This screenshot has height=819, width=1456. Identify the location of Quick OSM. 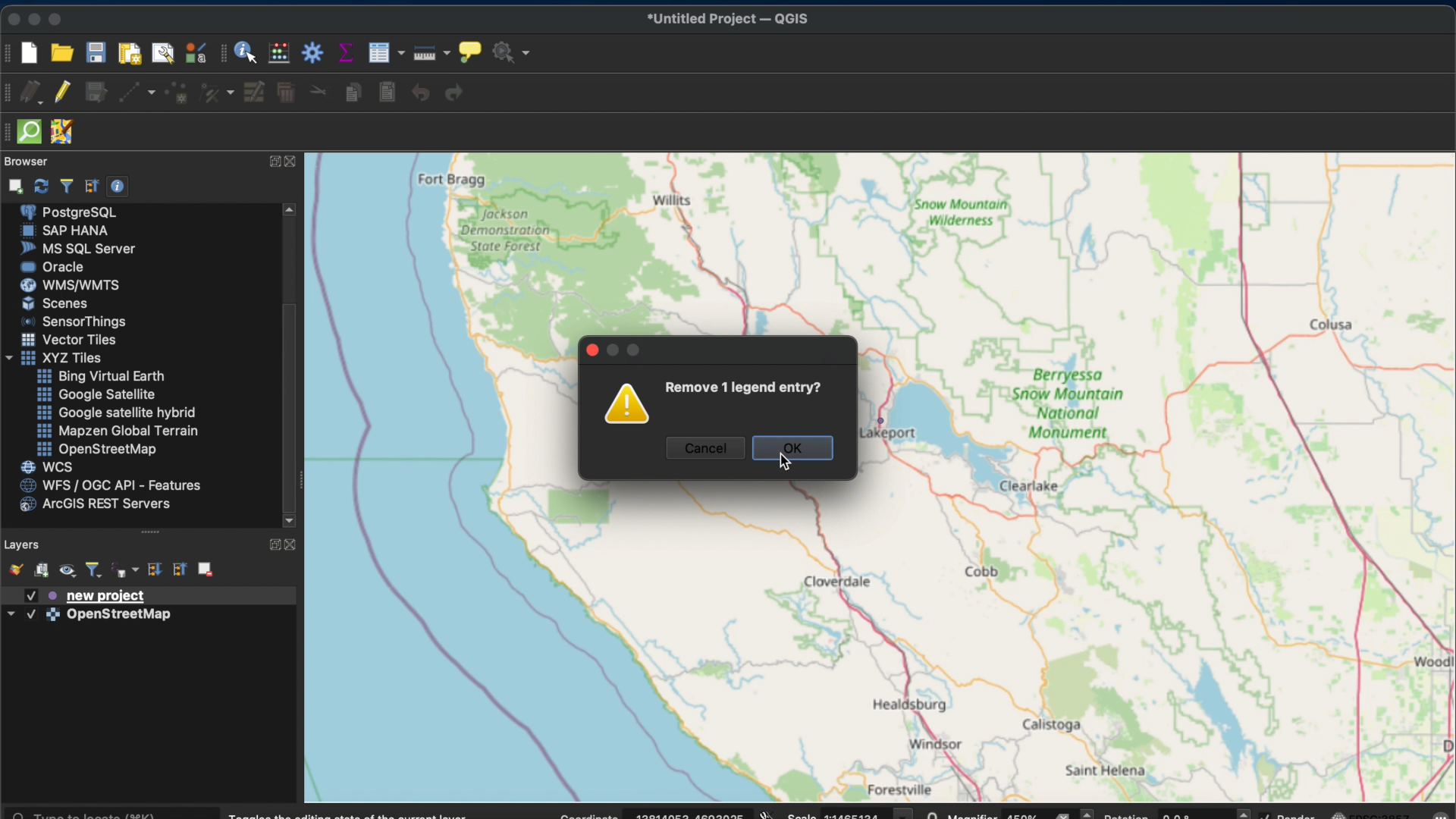
(30, 132).